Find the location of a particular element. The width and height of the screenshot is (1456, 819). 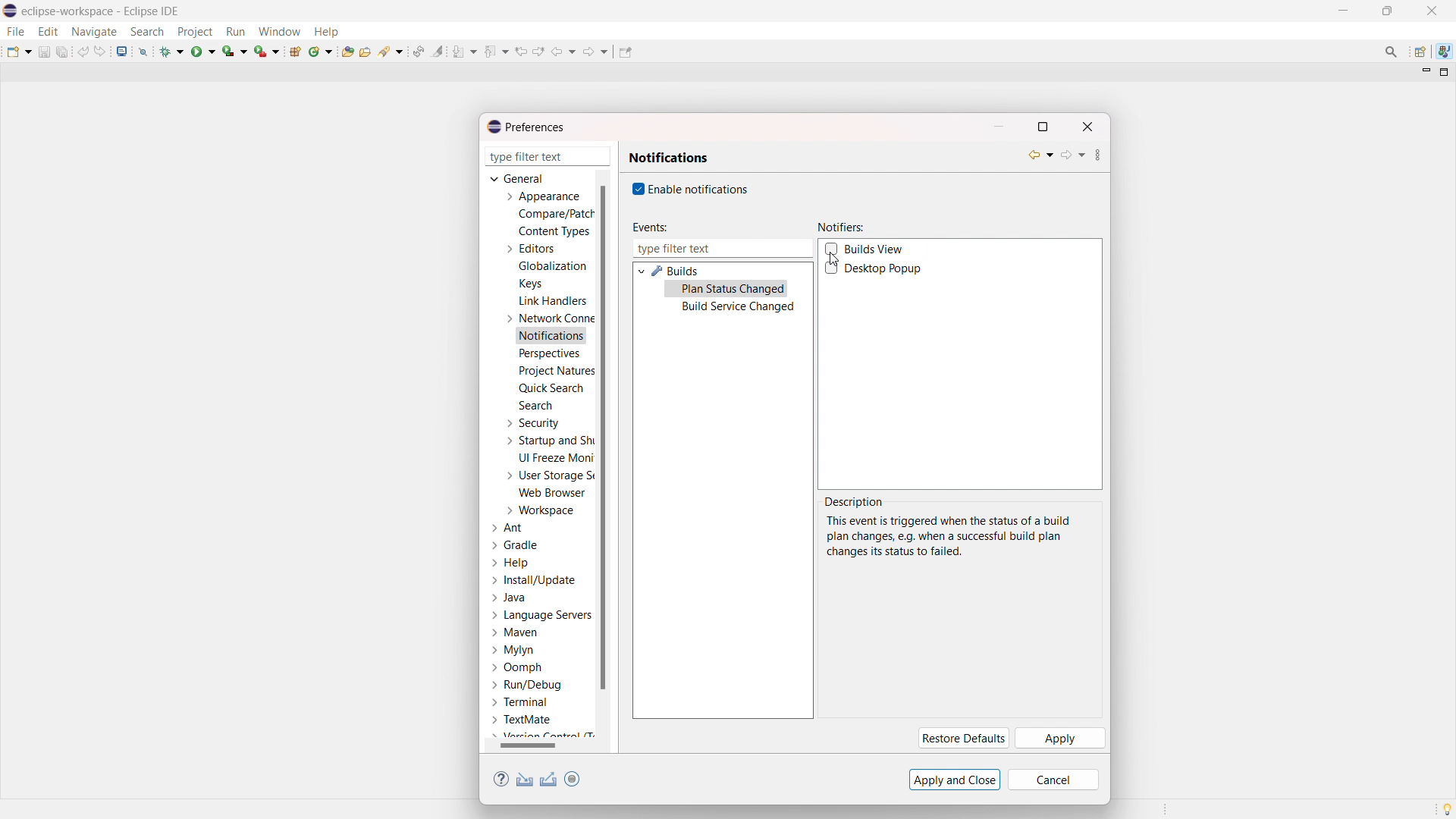

web browser is located at coordinates (553, 492).